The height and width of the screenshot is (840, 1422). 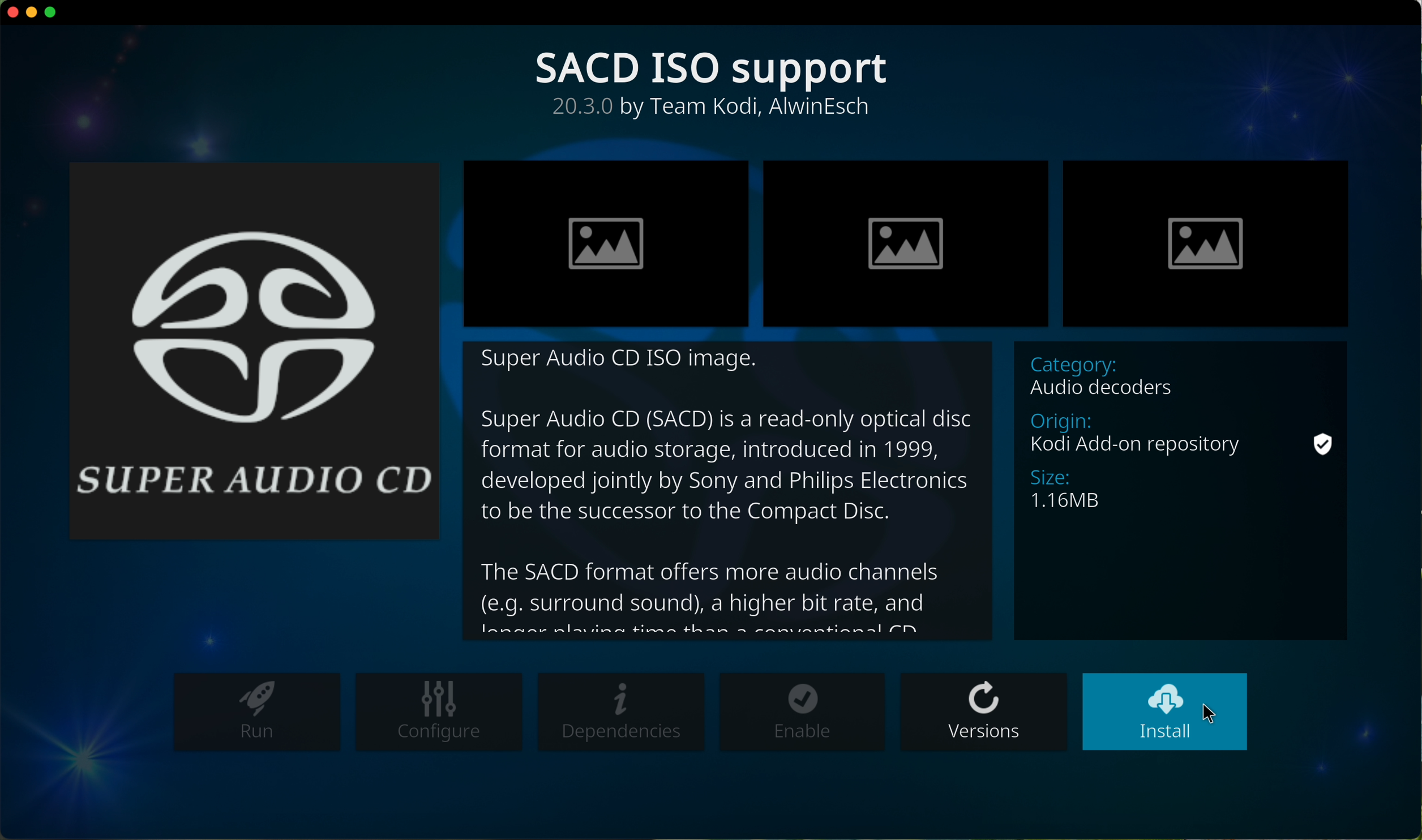 I want to click on configure, so click(x=436, y=713).